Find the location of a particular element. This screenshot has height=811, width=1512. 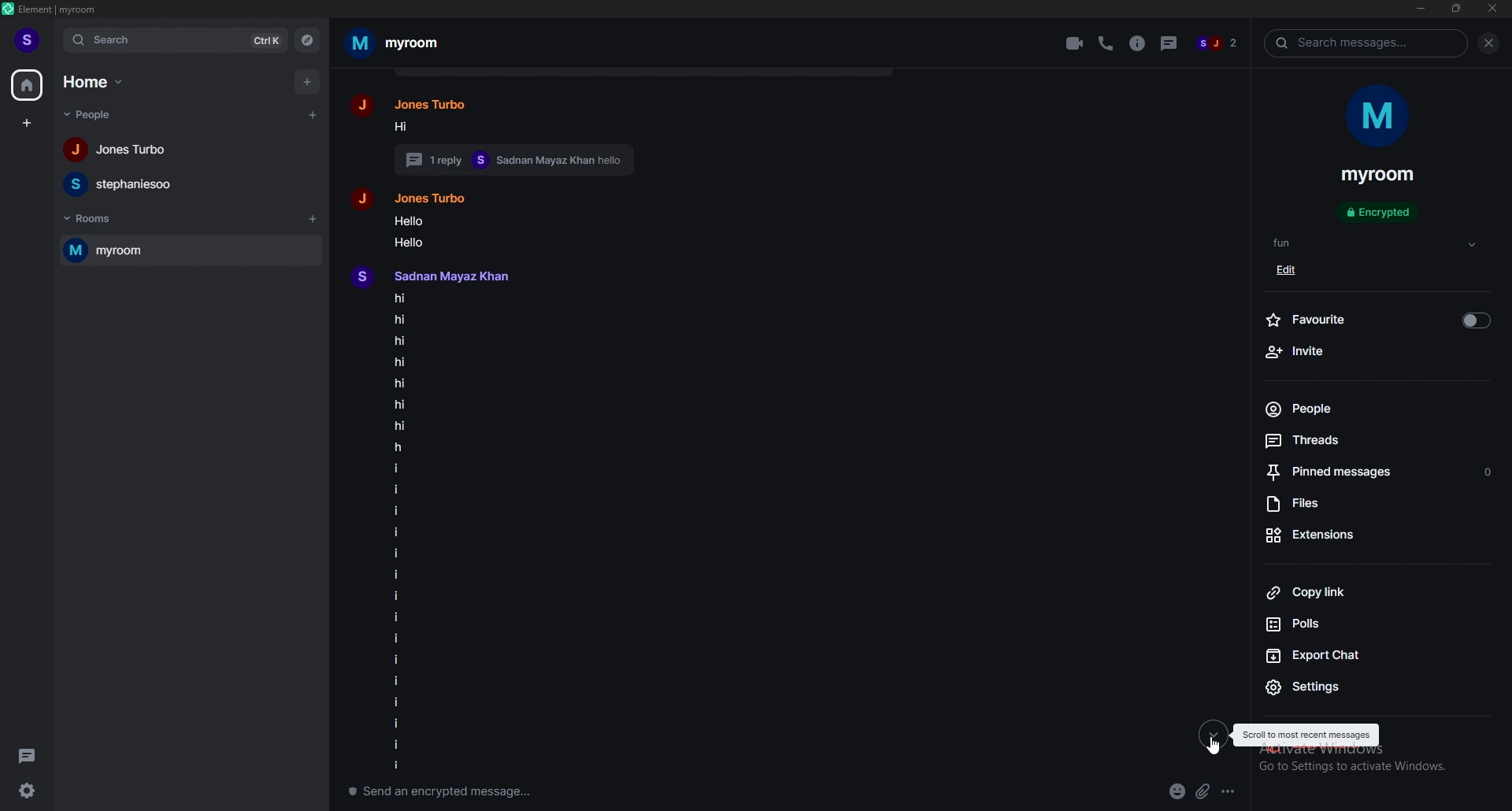

latest messages is located at coordinates (1213, 734).